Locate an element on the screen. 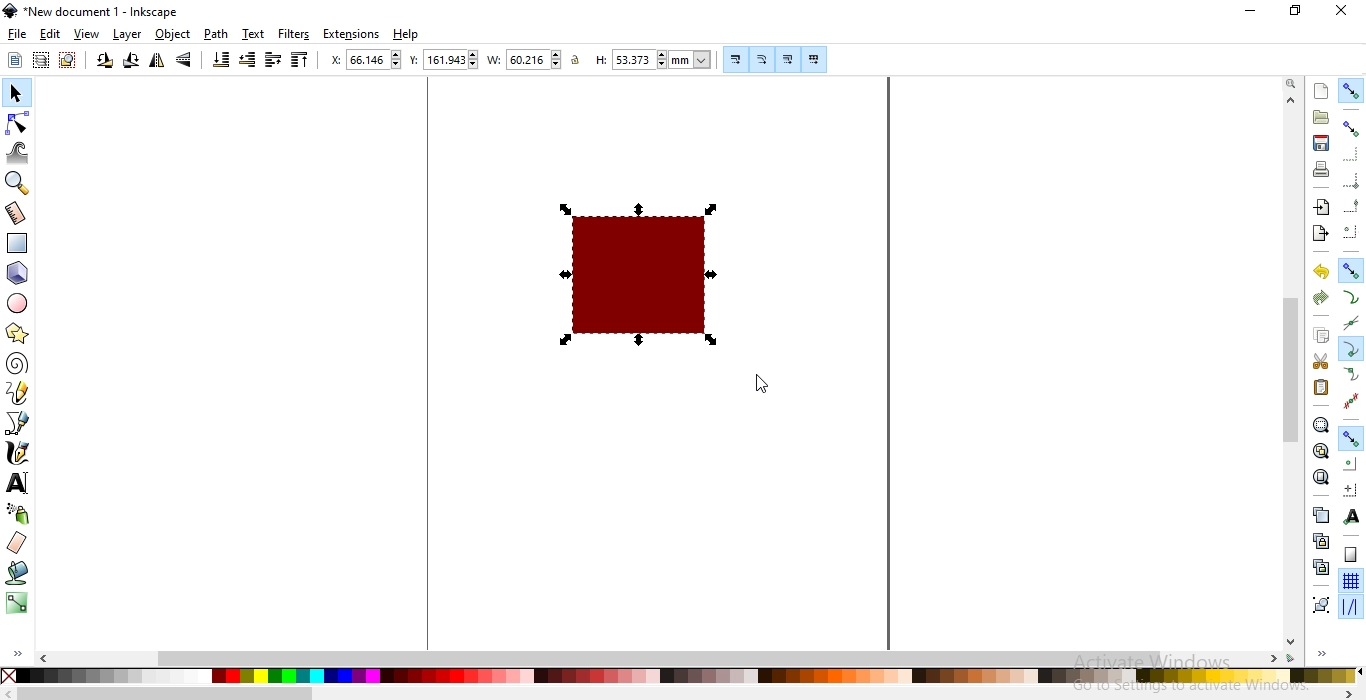  view is located at coordinates (88, 34).